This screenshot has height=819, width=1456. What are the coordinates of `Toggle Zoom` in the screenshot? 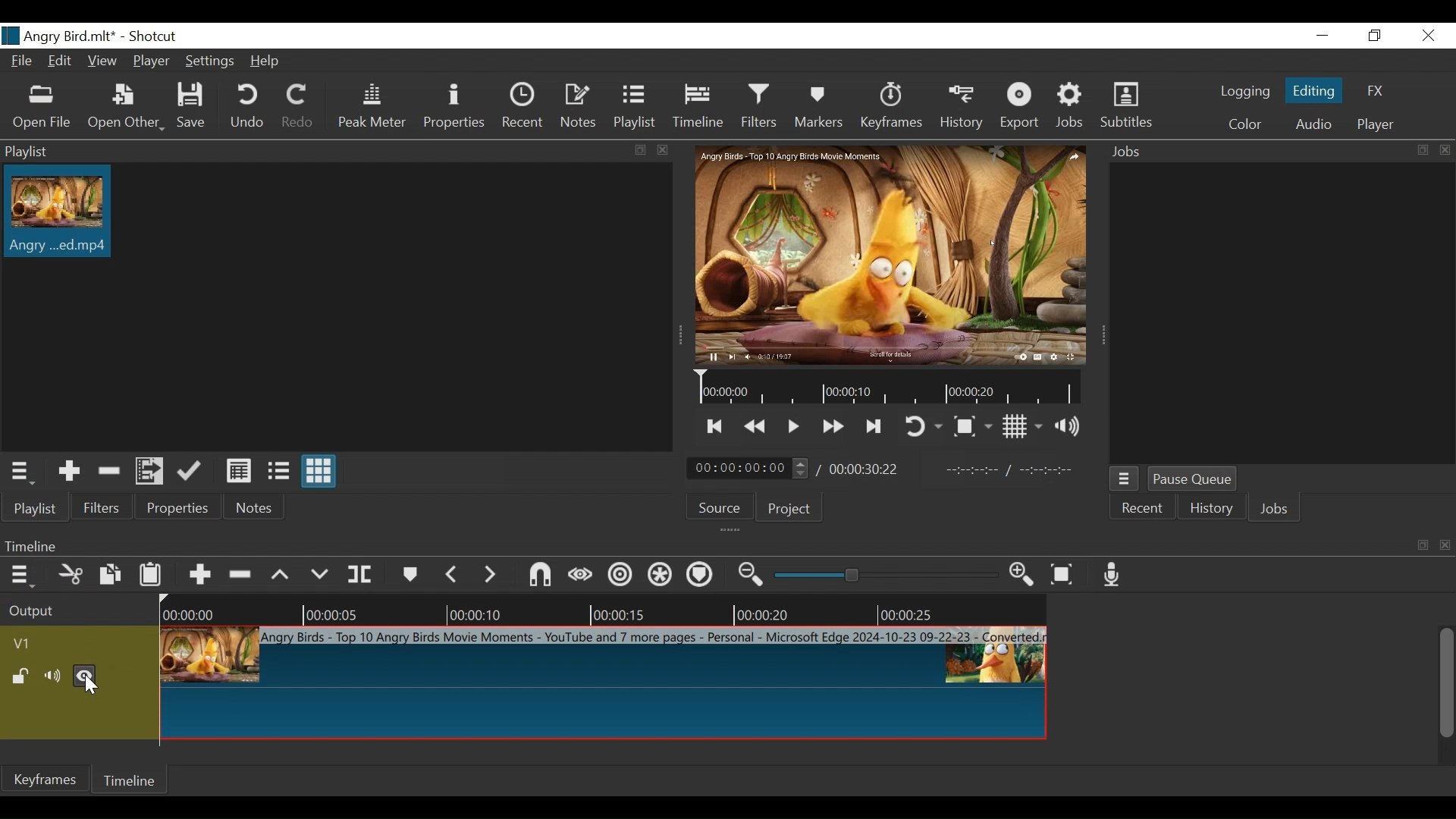 It's located at (971, 425).